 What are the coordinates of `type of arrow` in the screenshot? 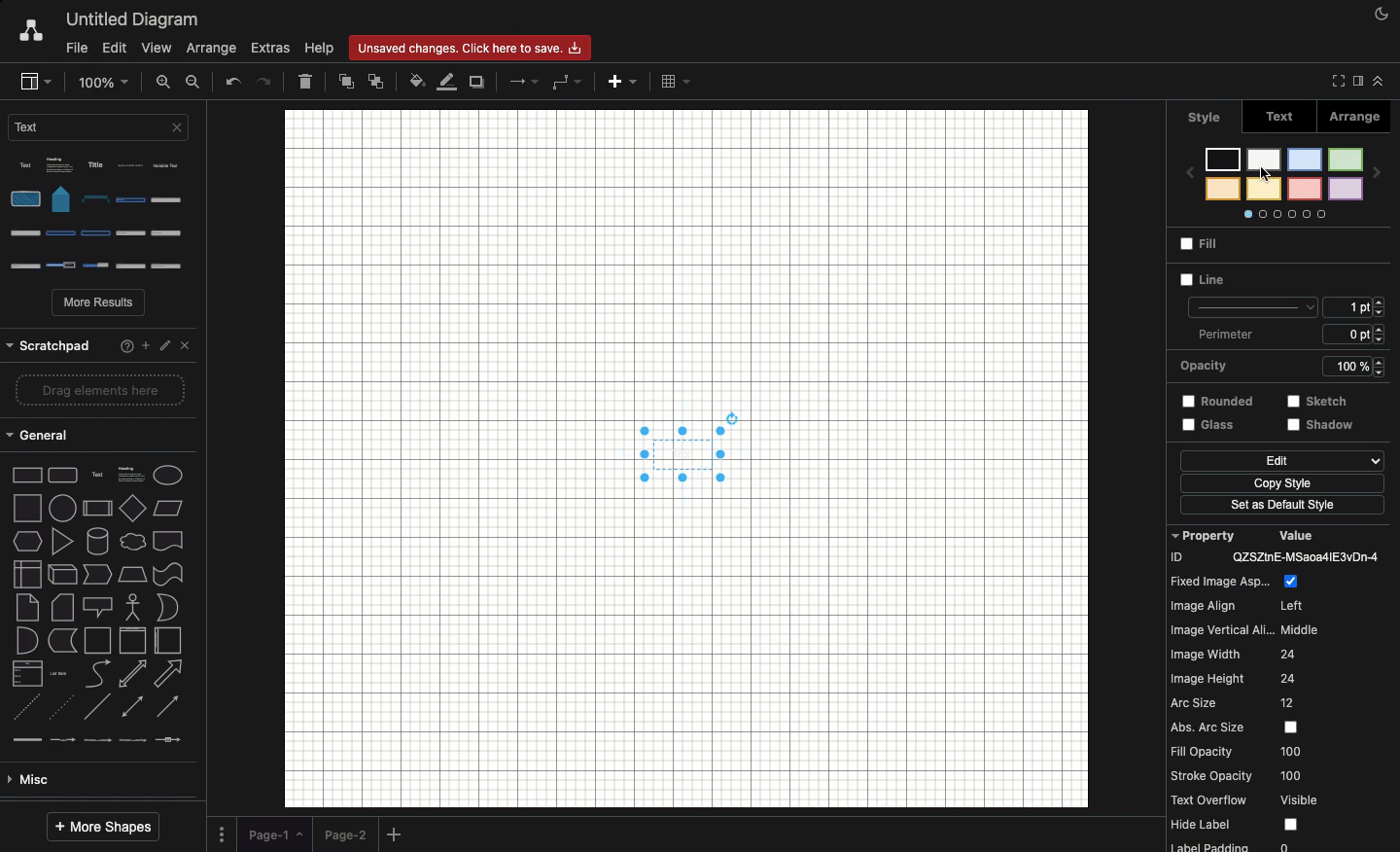 It's located at (104, 544).